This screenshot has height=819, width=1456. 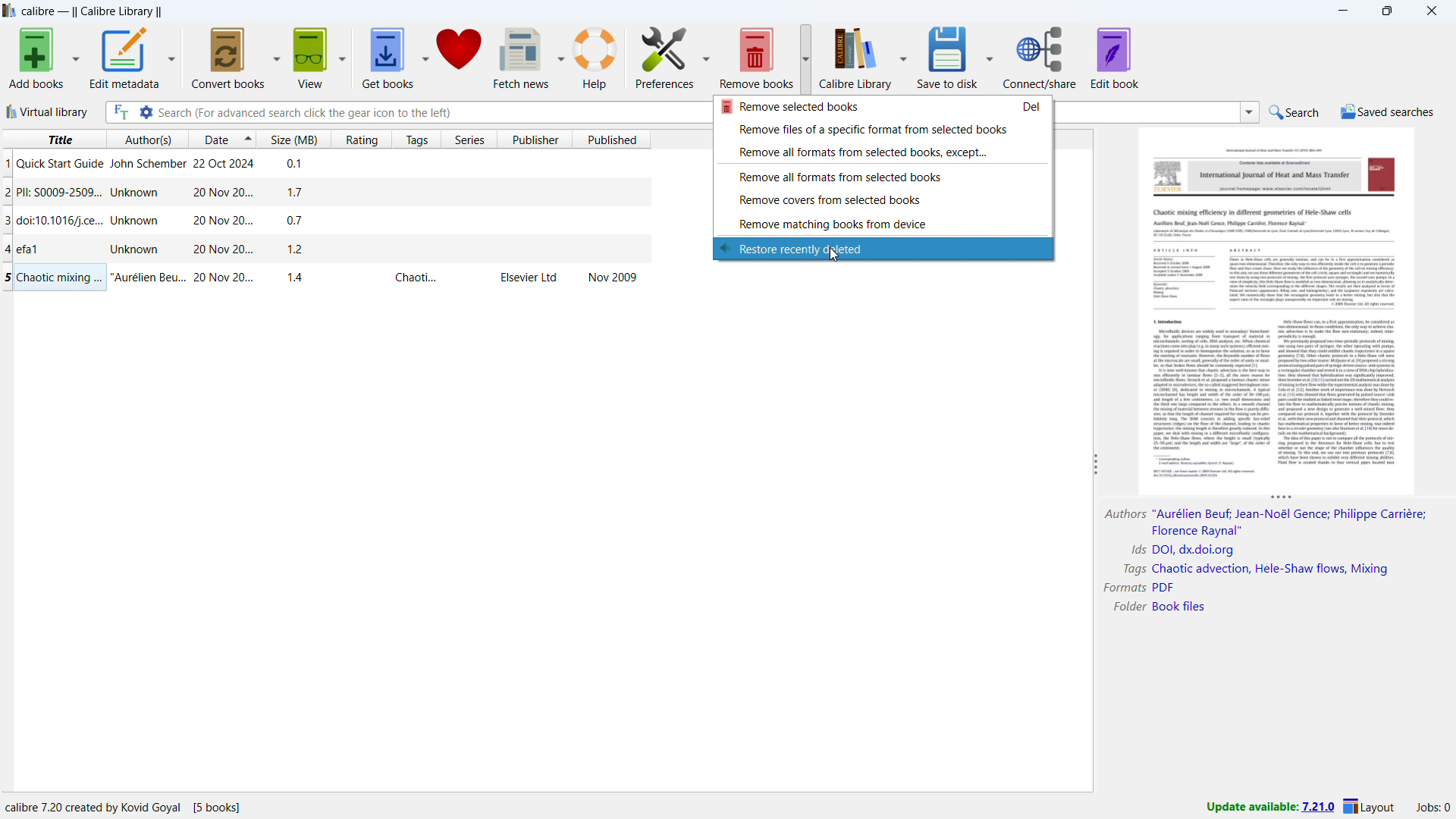 What do you see at coordinates (560, 58) in the screenshot?
I see `fetch news options` at bounding box center [560, 58].